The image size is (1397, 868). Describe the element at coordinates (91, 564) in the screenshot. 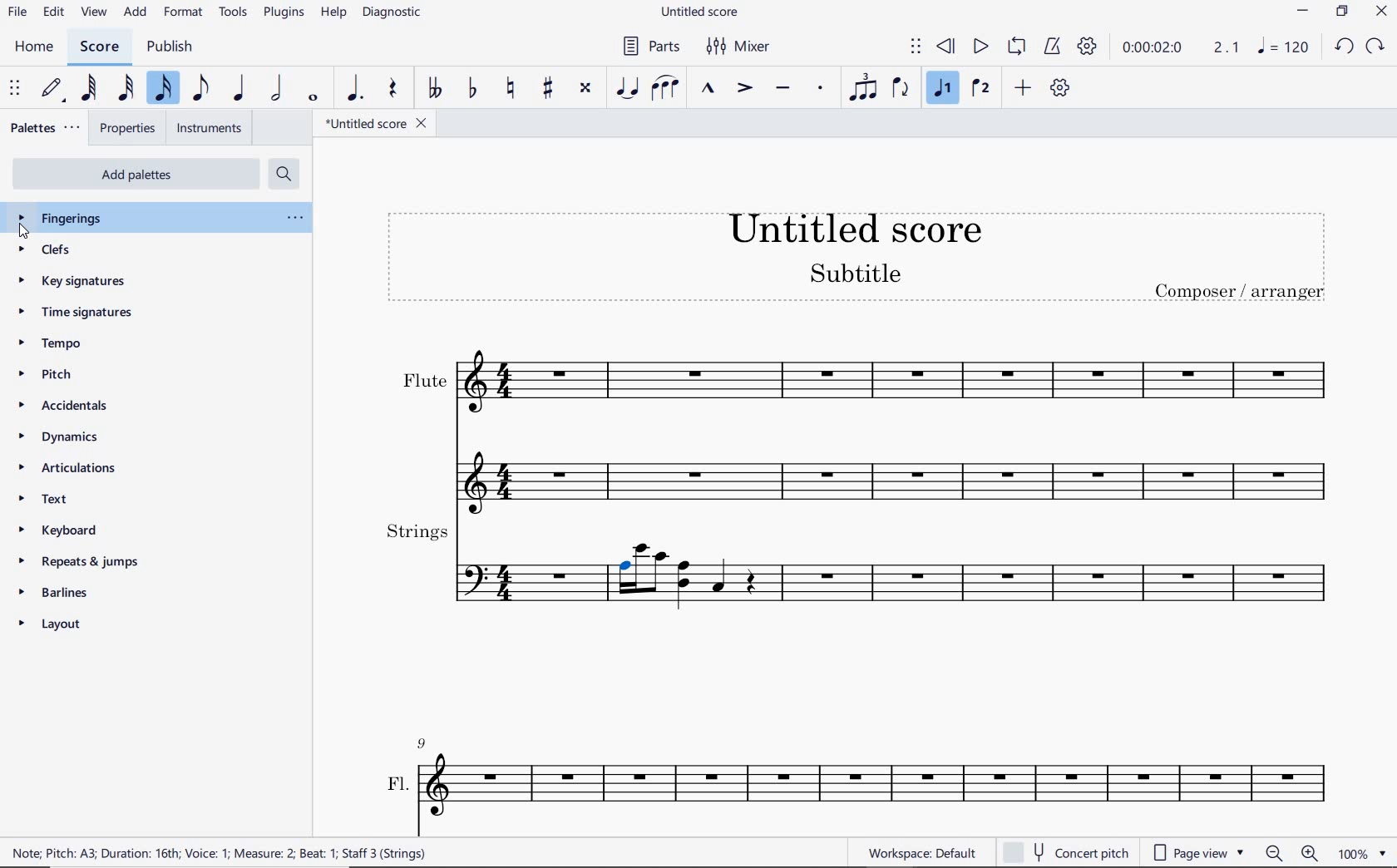

I see `repeats & jumps` at that location.